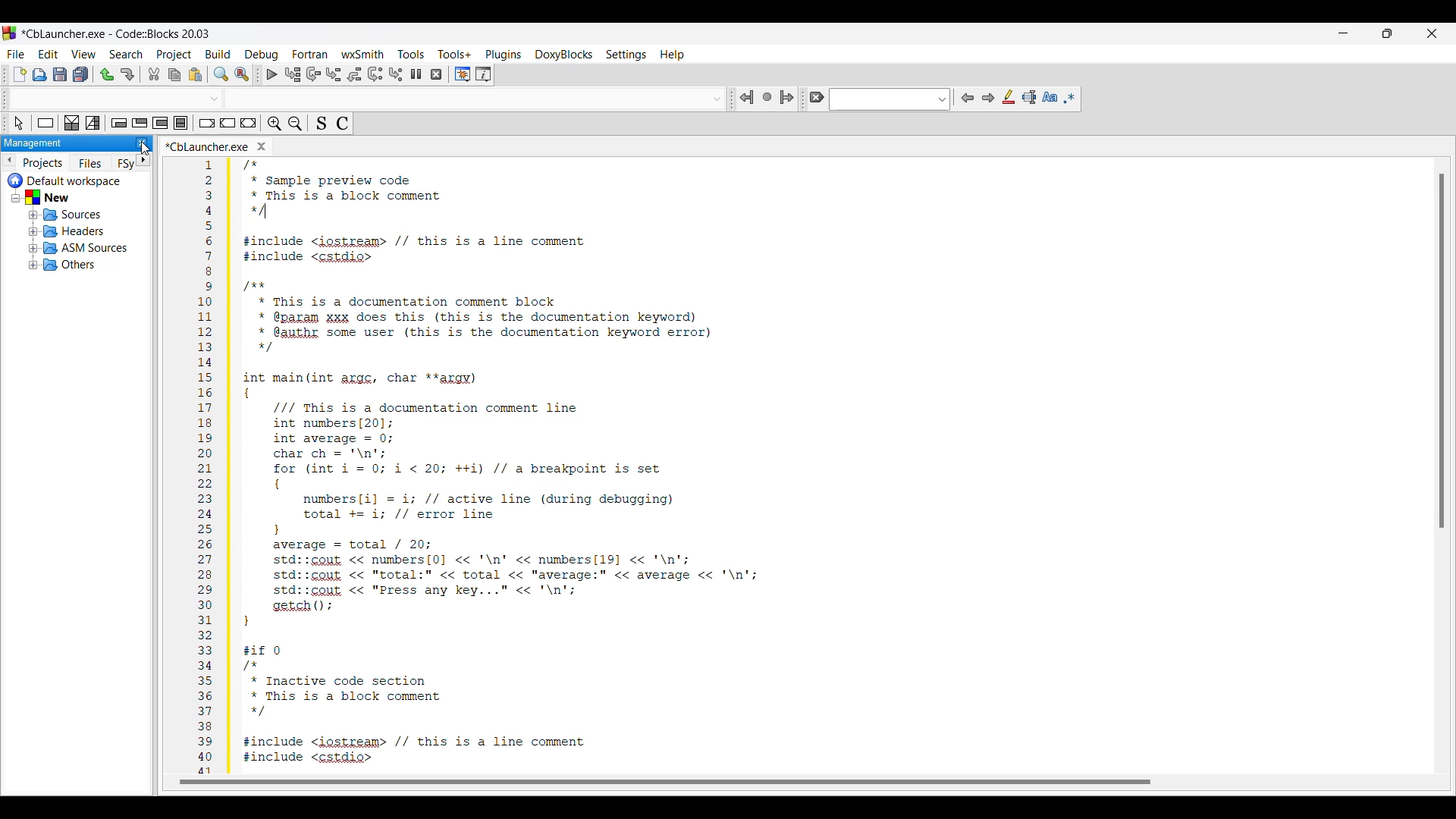 The height and width of the screenshot is (819, 1456). Describe the element at coordinates (1432, 33) in the screenshot. I see `Close interface` at that location.